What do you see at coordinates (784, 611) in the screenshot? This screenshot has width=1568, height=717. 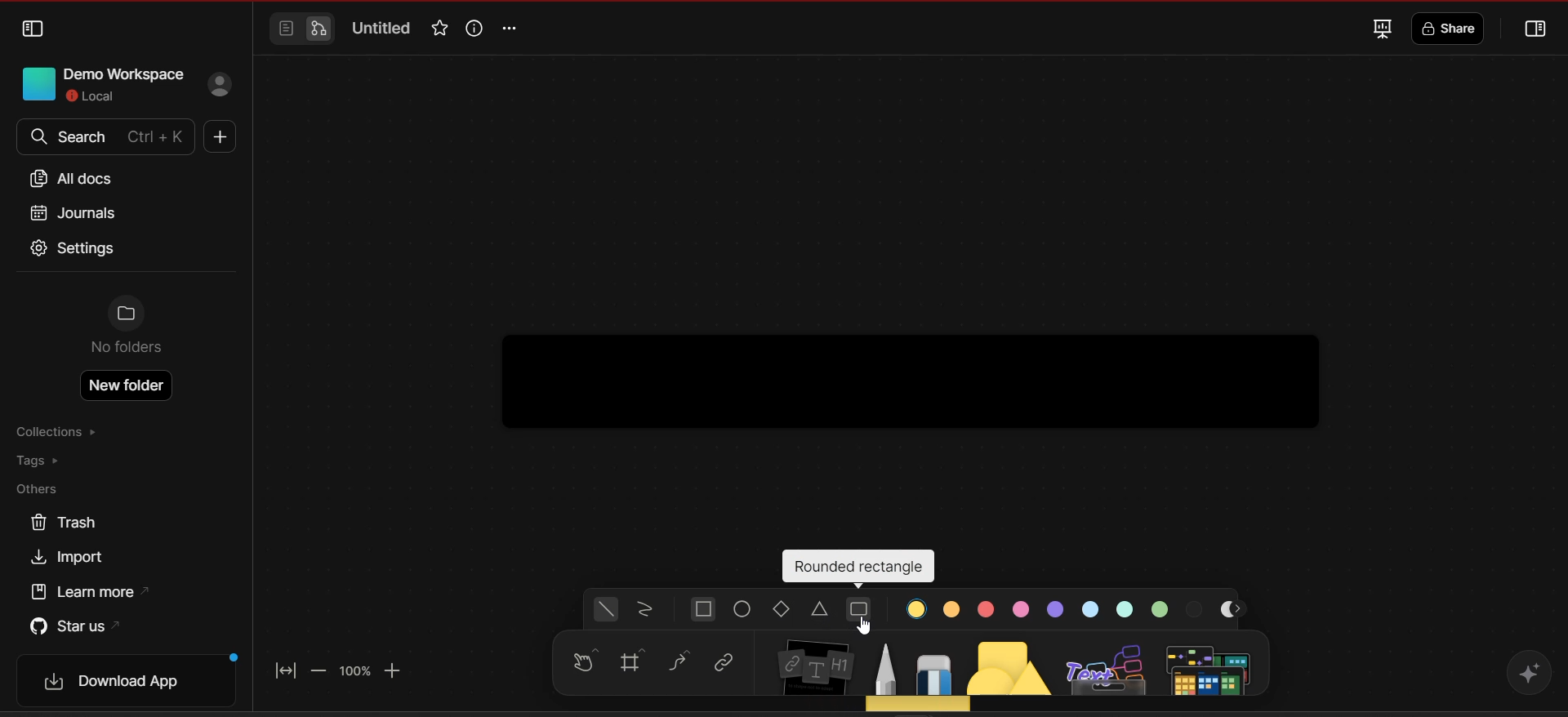 I see `diamond` at bounding box center [784, 611].